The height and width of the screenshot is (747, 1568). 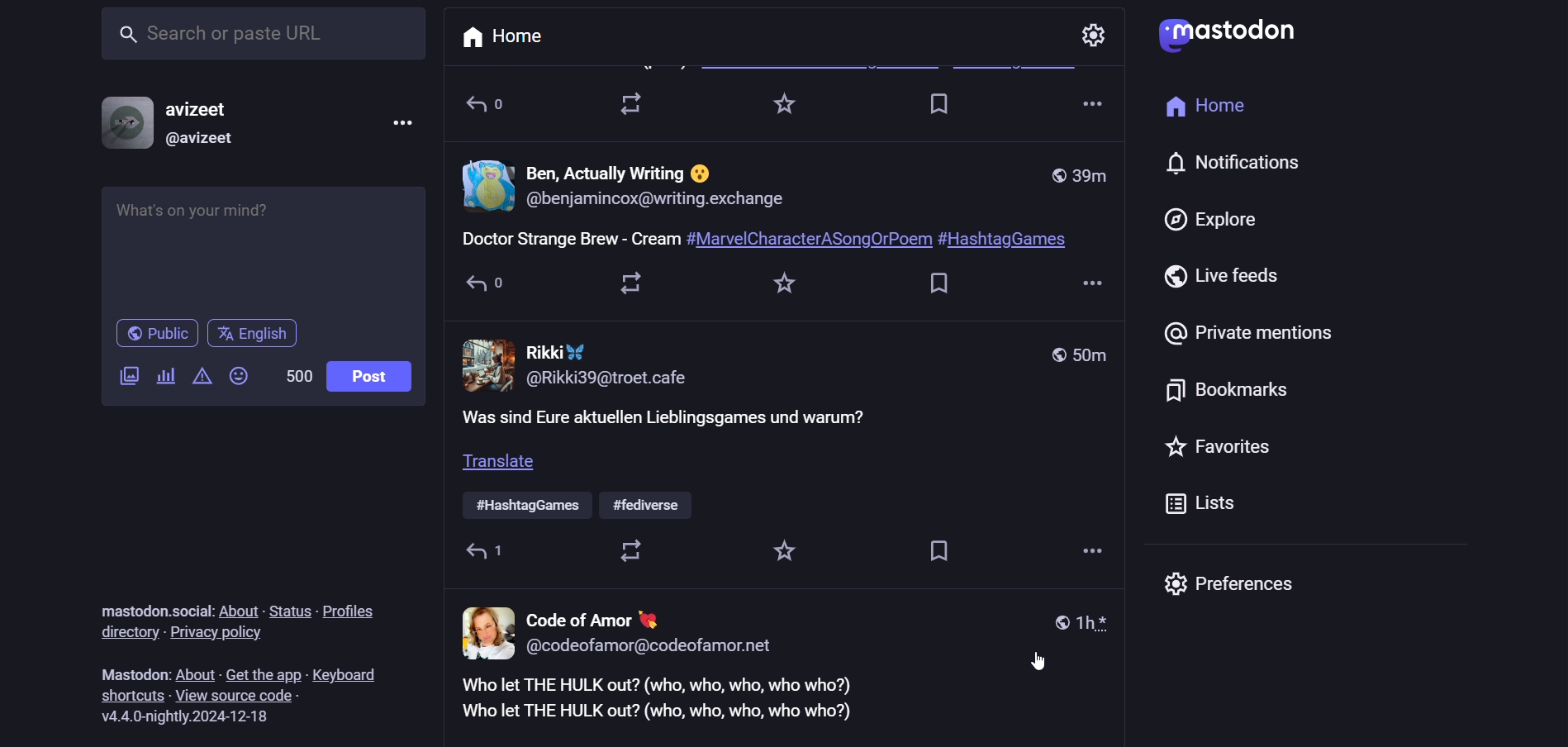 I want to click on emojis, so click(x=240, y=378).